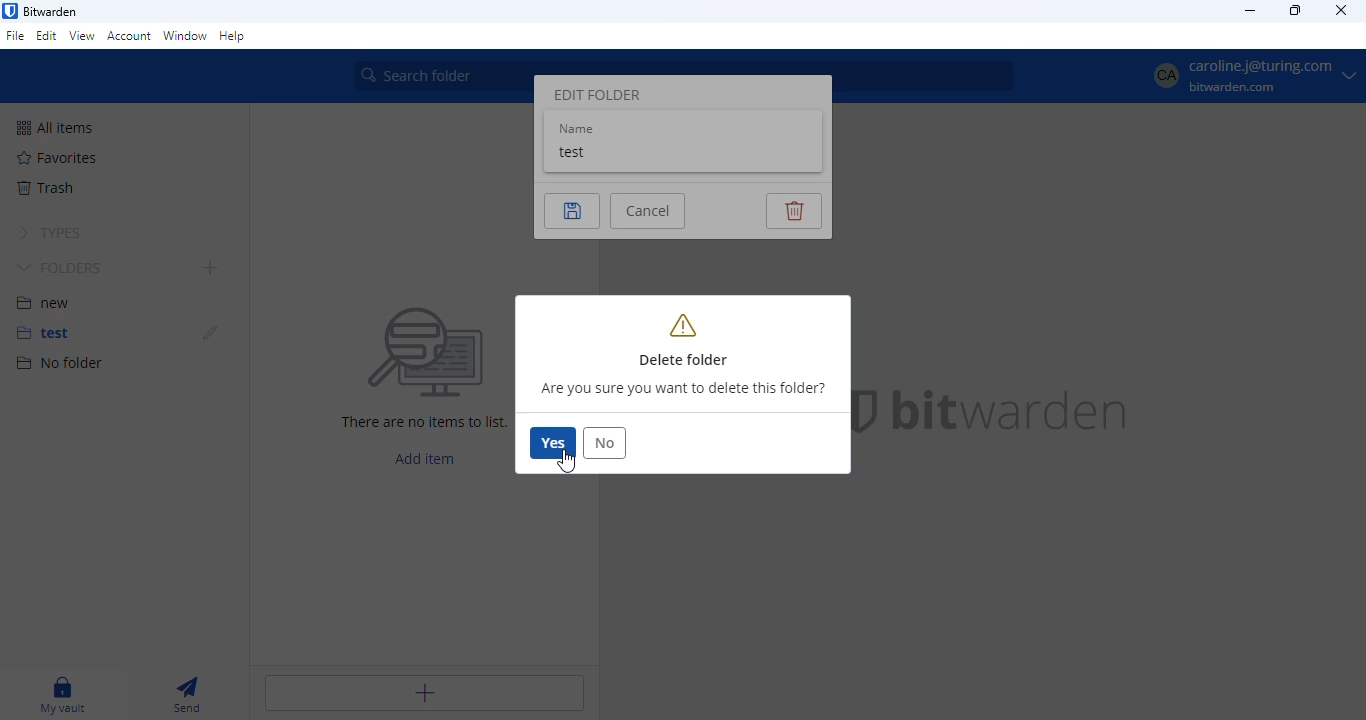 The width and height of the screenshot is (1366, 720). What do you see at coordinates (60, 128) in the screenshot?
I see `all items` at bounding box center [60, 128].